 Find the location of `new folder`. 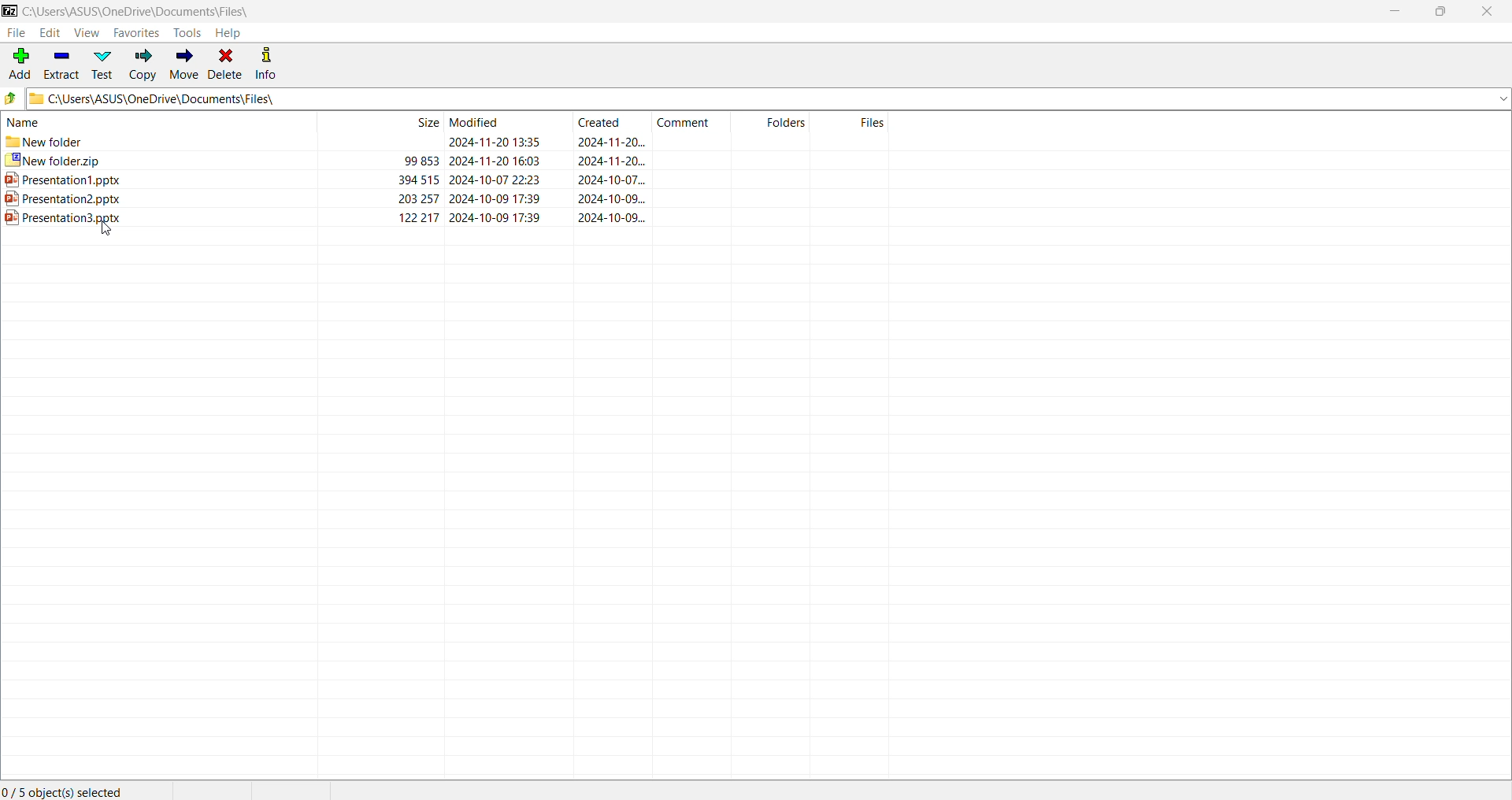

new folder is located at coordinates (447, 143).